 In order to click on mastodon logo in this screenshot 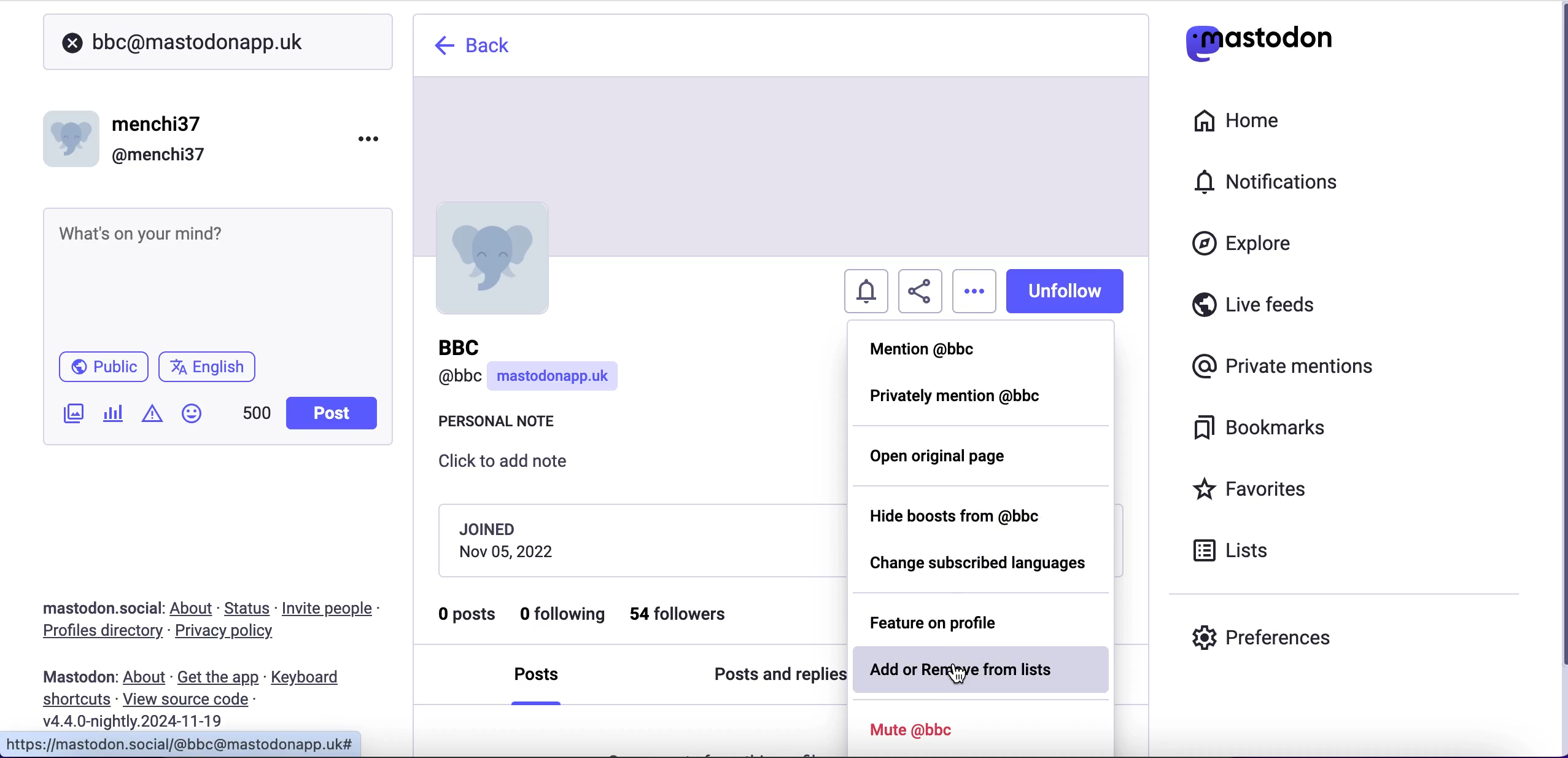, I will do `click(1259, 40)`.